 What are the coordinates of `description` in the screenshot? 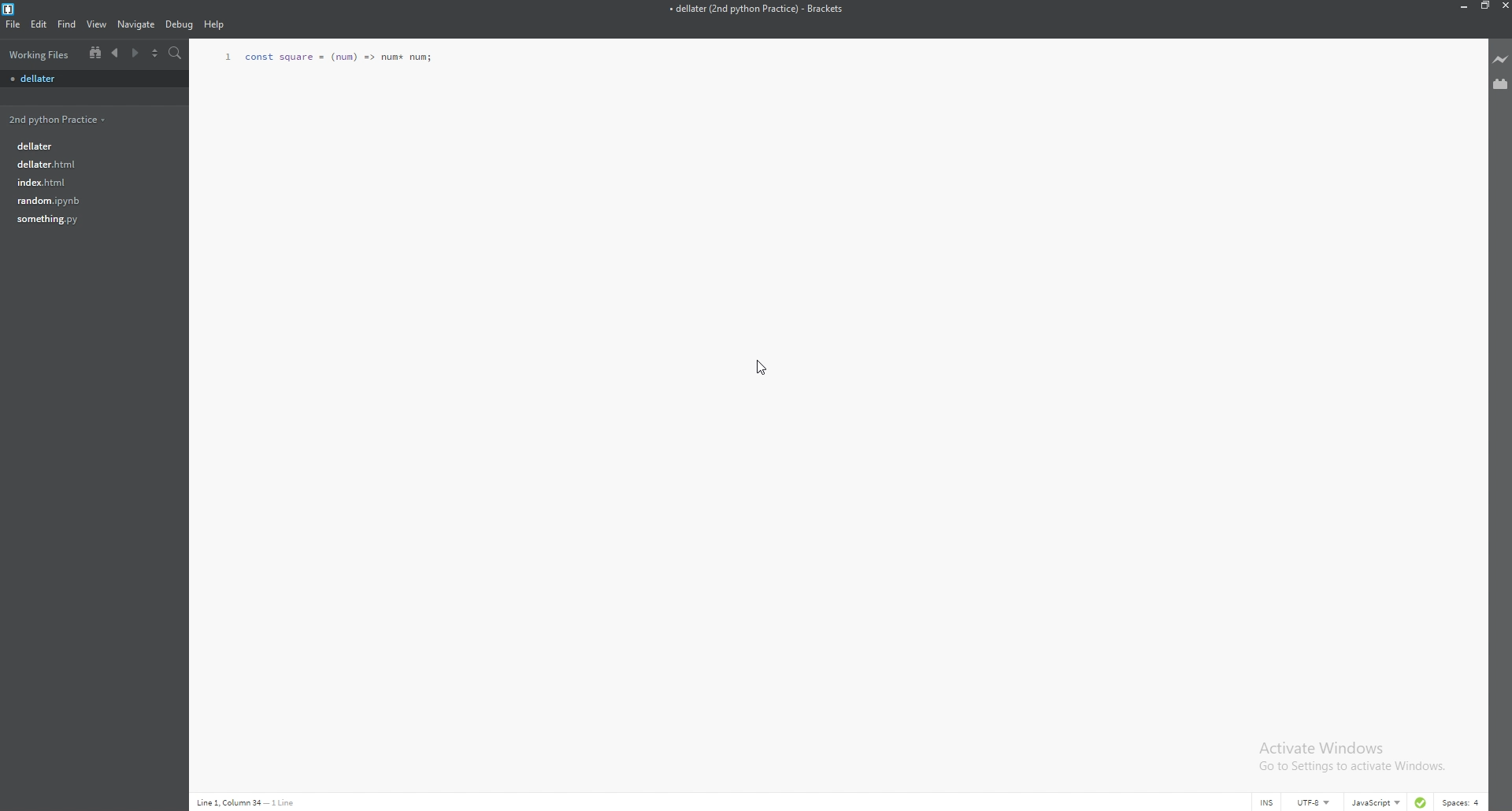 It's located at (259, 795).